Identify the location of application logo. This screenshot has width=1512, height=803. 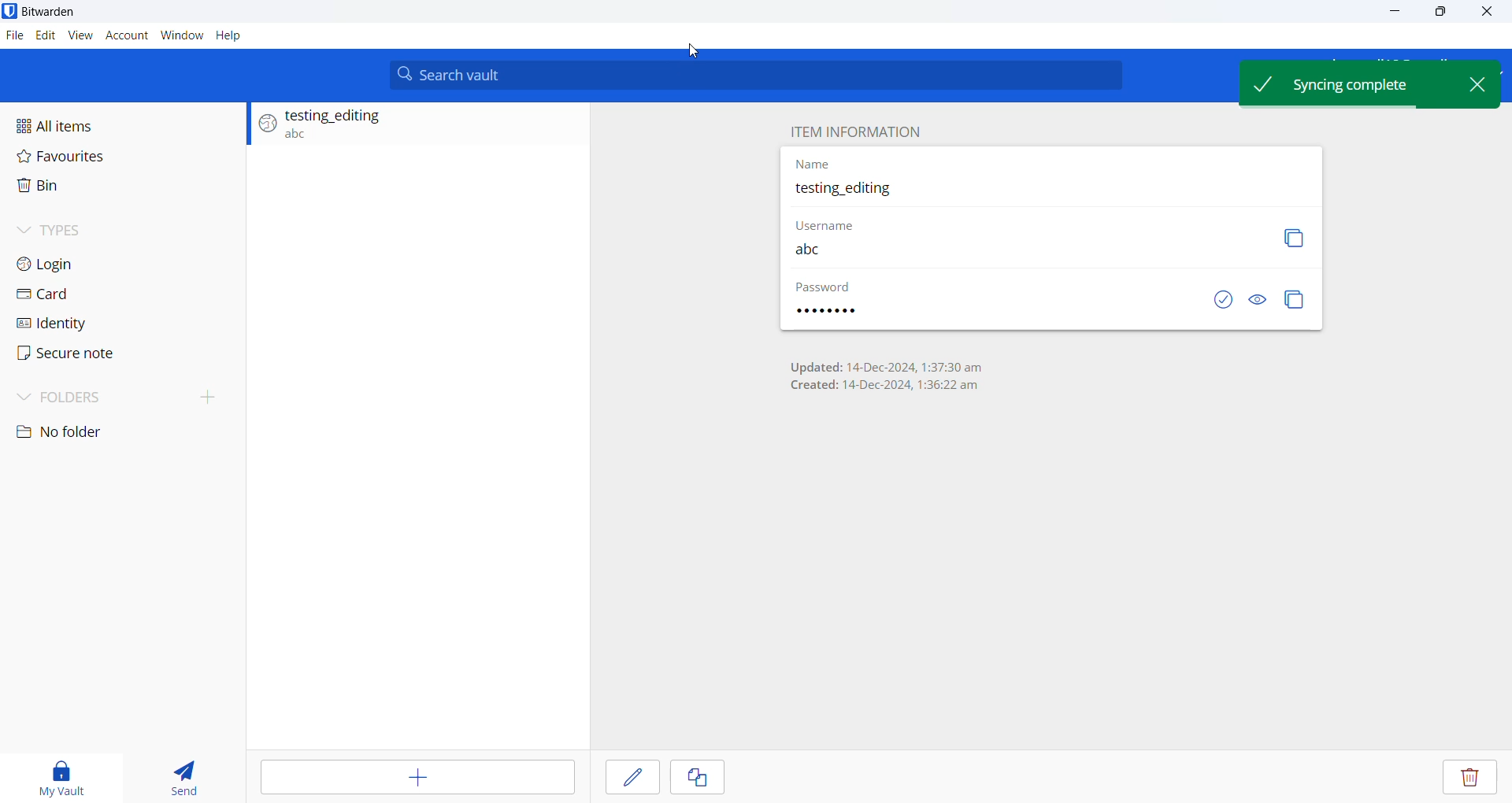
(9, 11).